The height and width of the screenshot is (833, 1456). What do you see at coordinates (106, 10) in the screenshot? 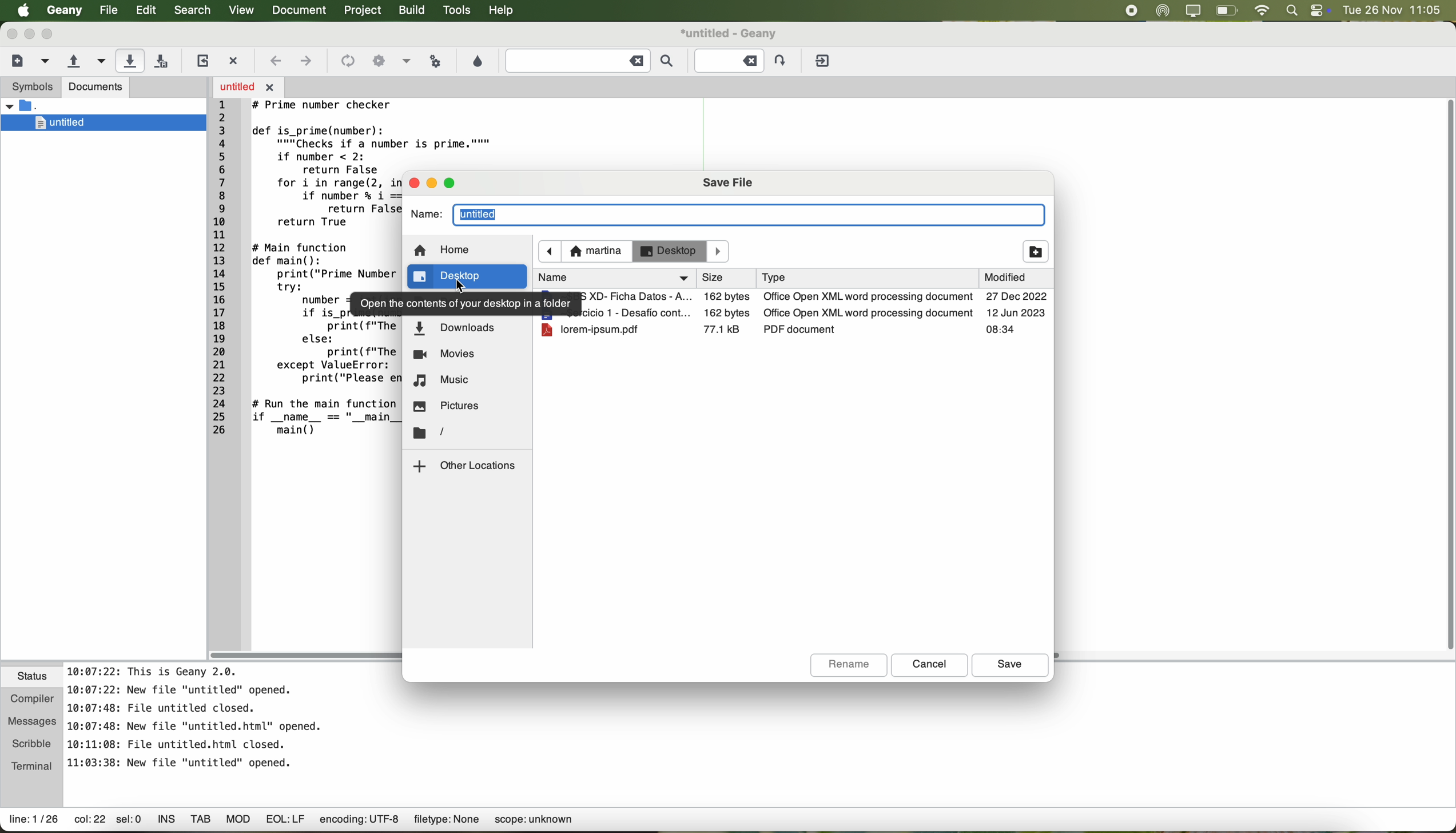
I see `file` at bounding box center [106, 10].